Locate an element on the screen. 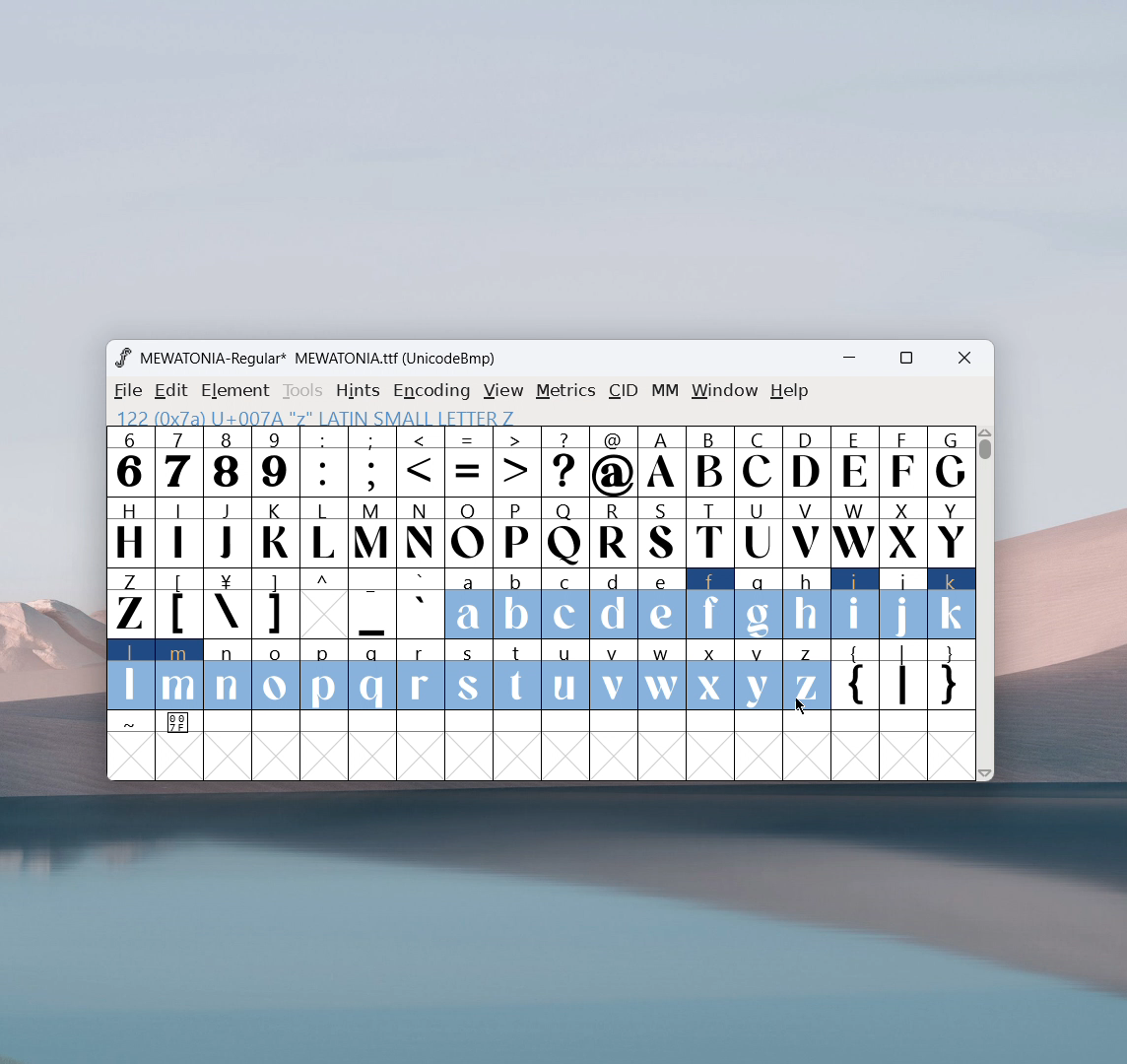 The width and height of the screenshot is (1127, 1064). T is located at coordinates (711, 533).